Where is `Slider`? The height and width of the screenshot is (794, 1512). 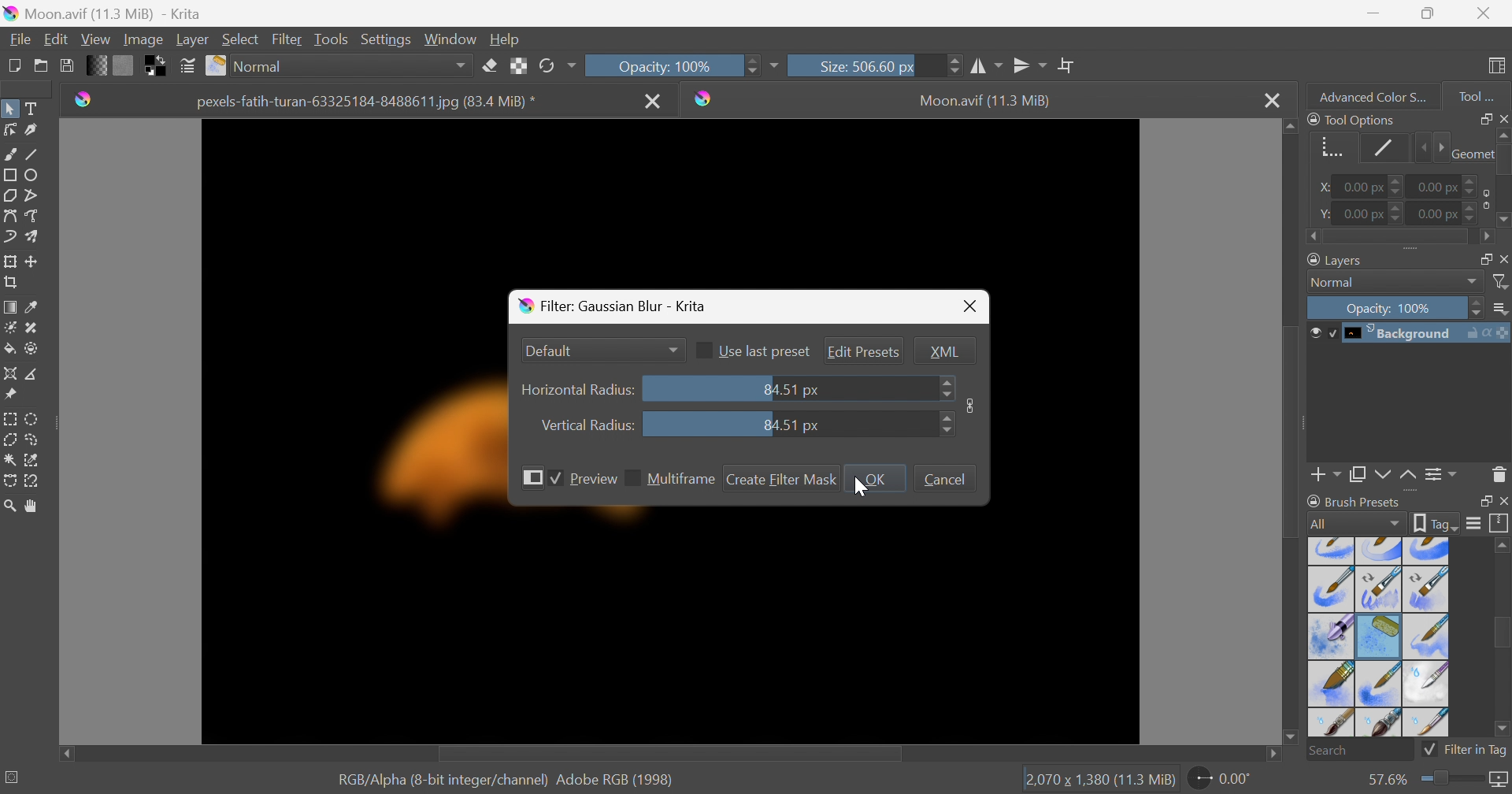 Slider is located at coordinates (1454, 781).